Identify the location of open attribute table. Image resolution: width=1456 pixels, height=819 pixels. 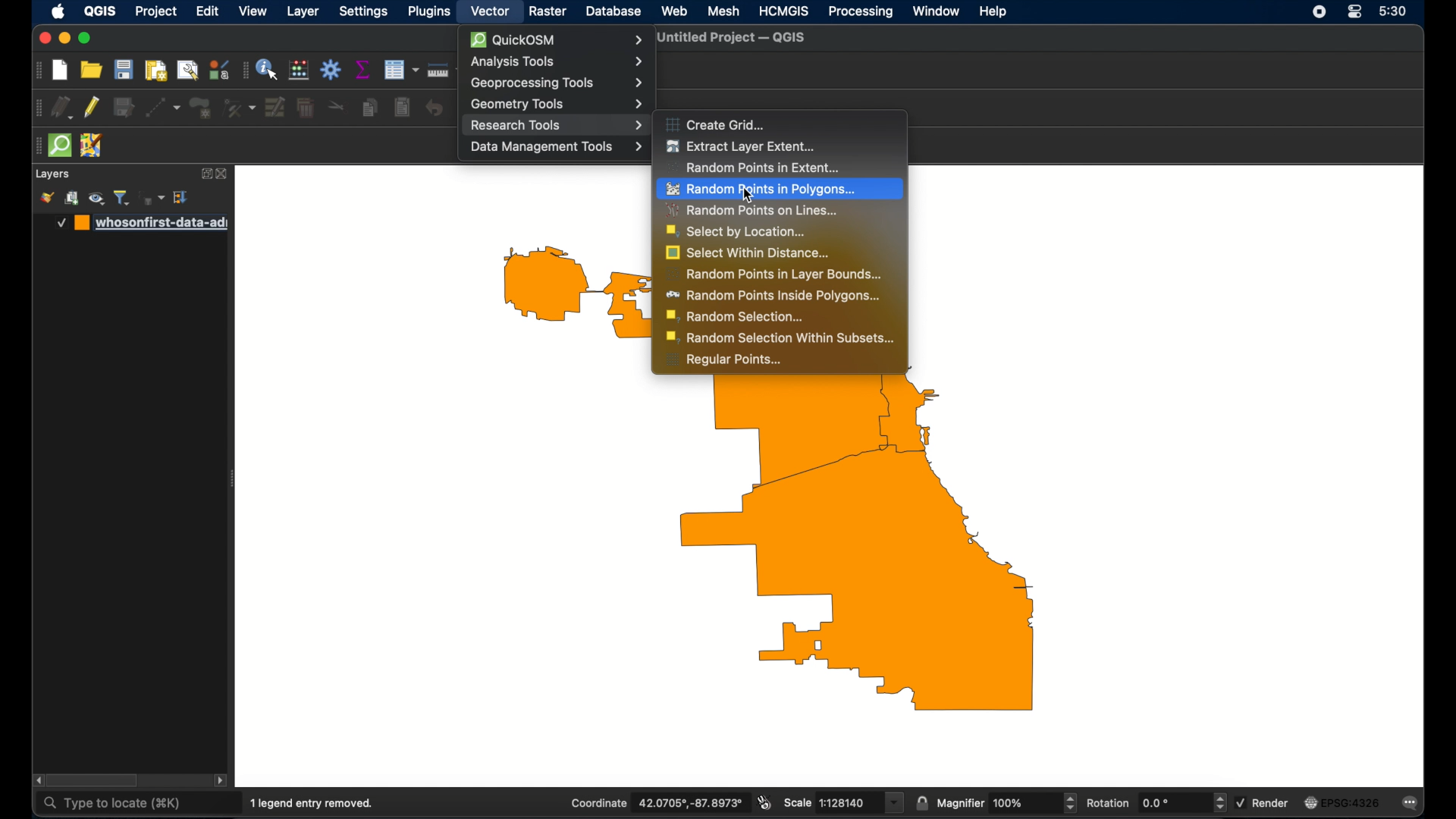
(400, 70).